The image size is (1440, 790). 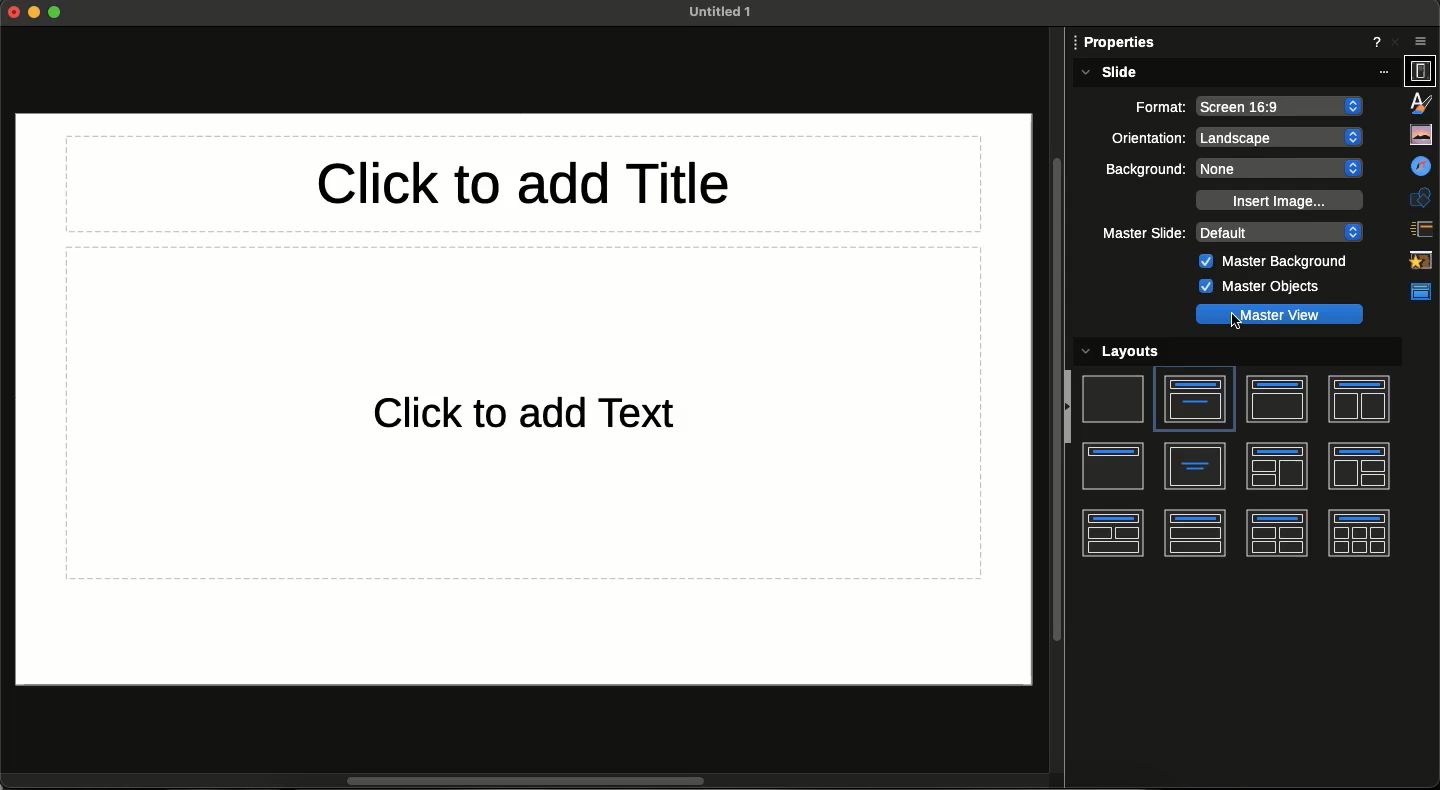 I want to click on Scroll, so click(x=1057, y=388).